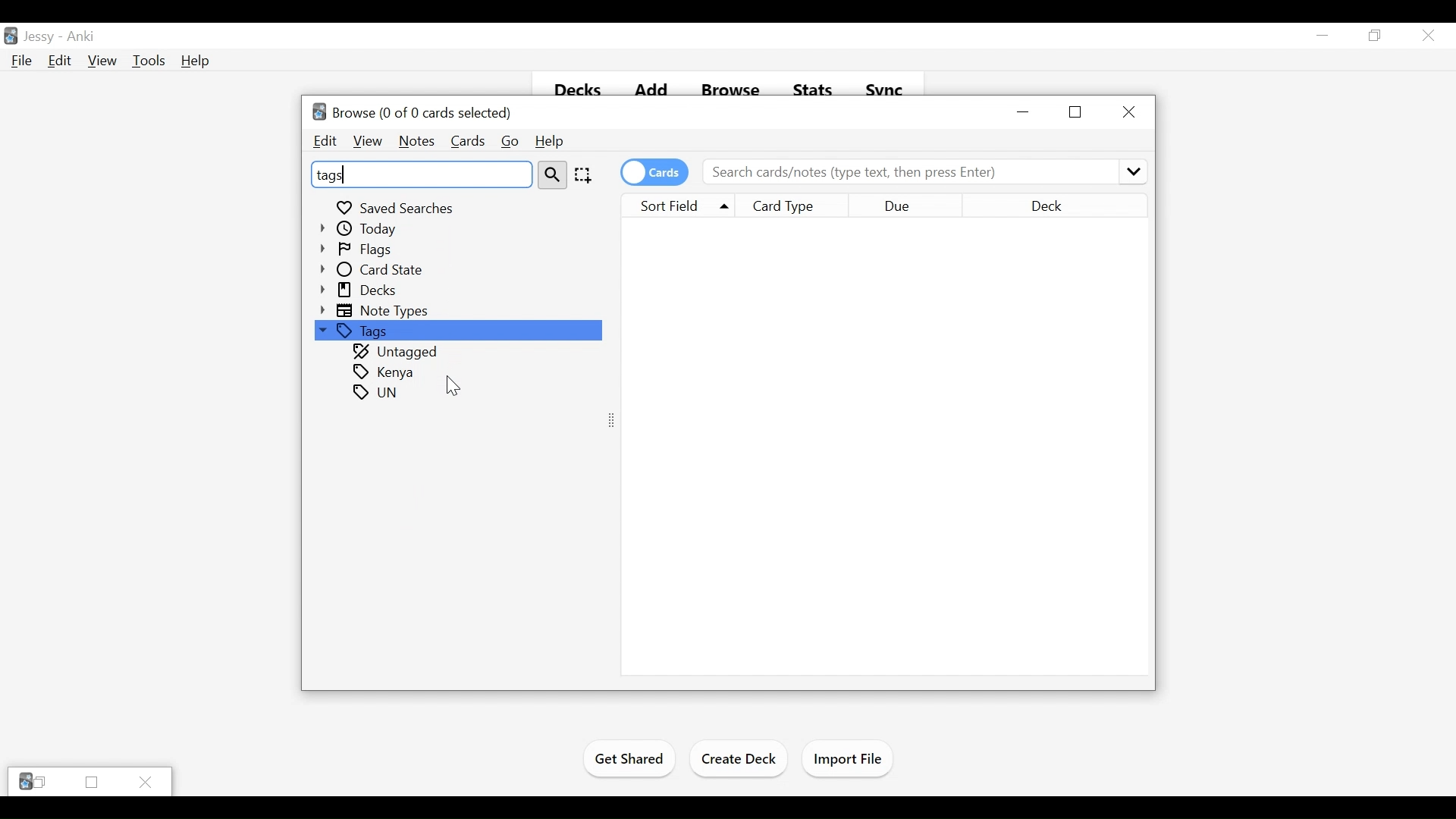 This screenshot has height=819, width=1456. Describe the element at coordinates (80, 37) in the screenshot. I see `Anki` at that location.